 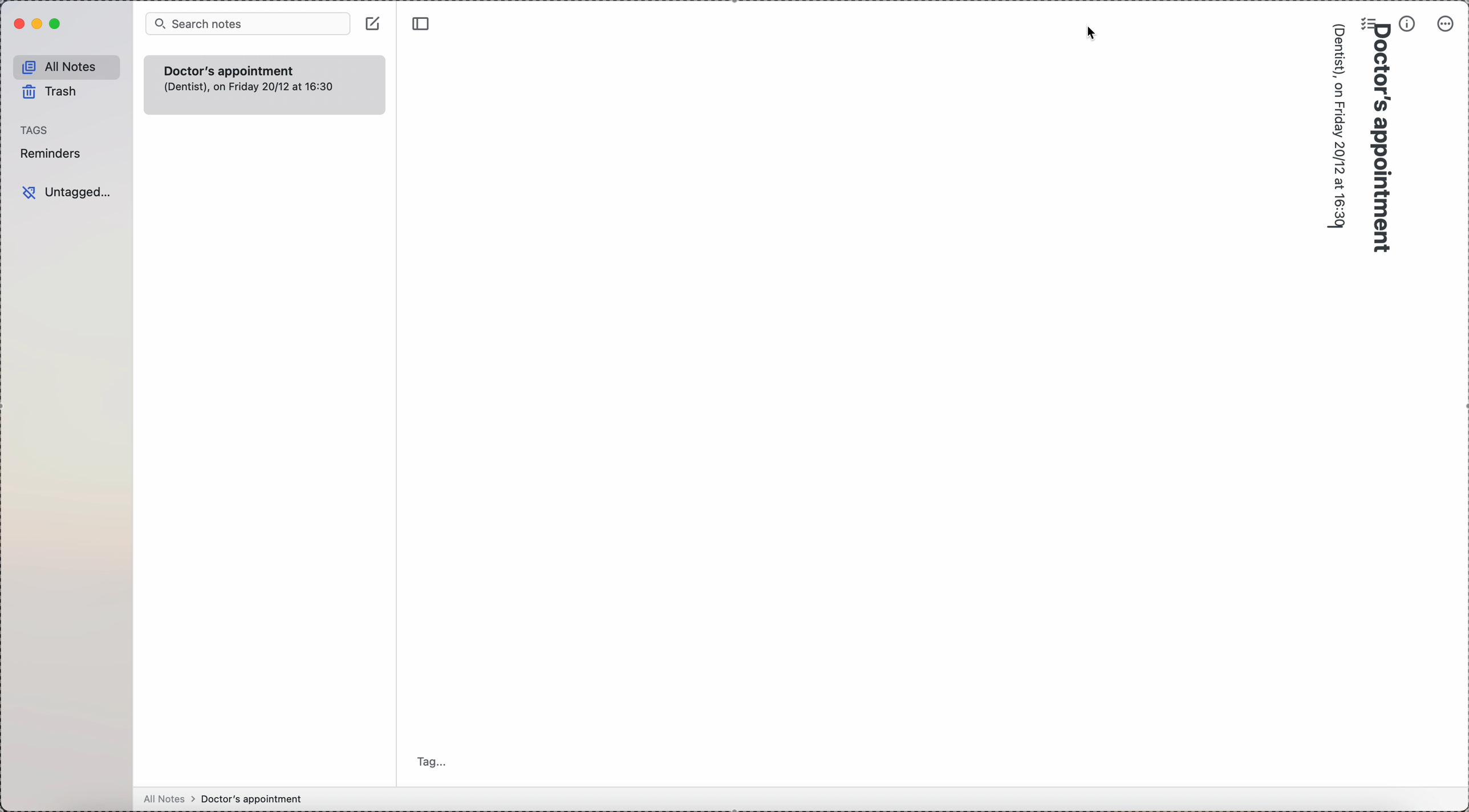 What do you see at coordinates (48, 92) in the screenshot?
I see `trash` at bounding box center [48, 92].